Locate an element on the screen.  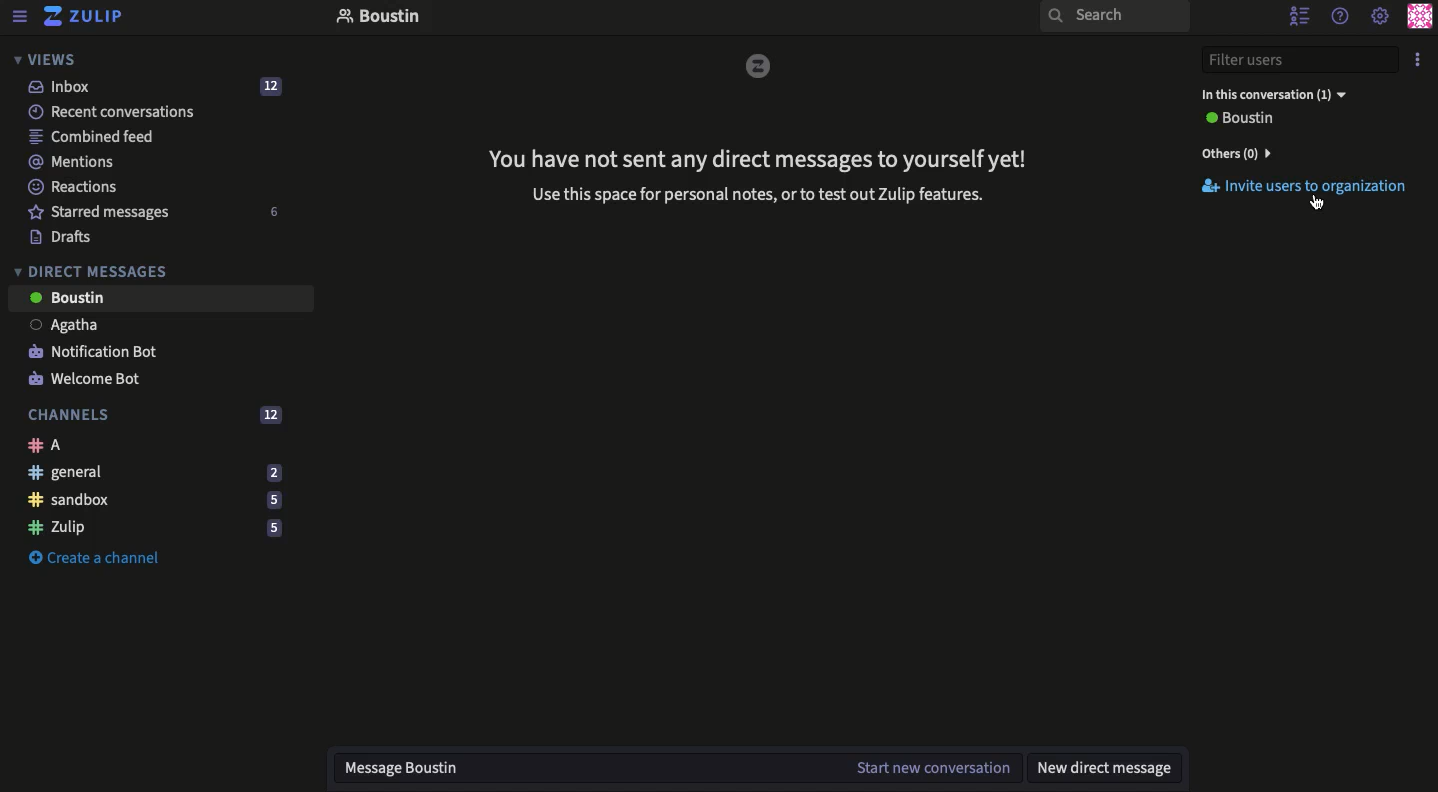
Others is located at coordinates (1232, 153).